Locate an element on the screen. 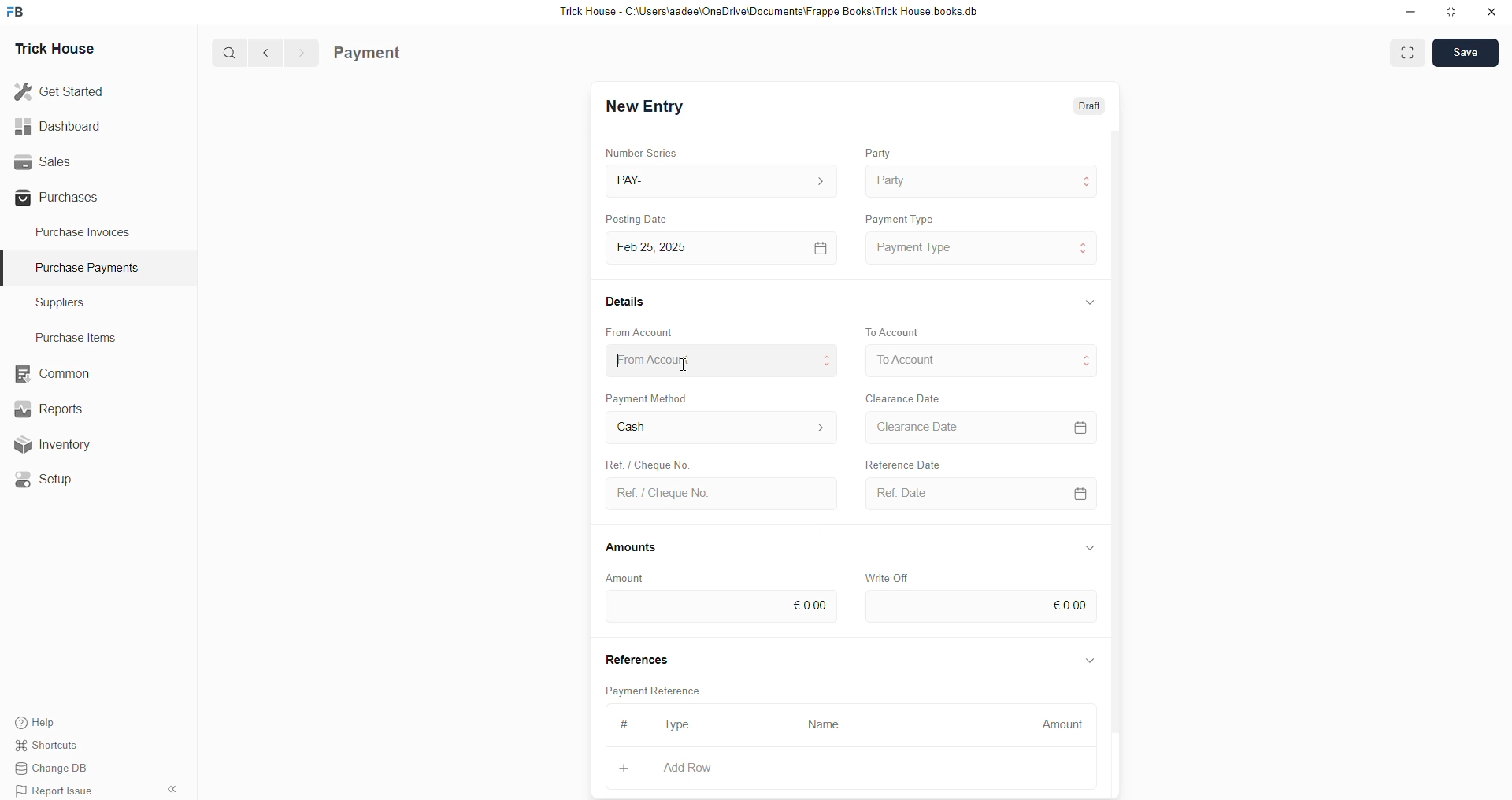  Draft is located at coordinates (1091, 107).